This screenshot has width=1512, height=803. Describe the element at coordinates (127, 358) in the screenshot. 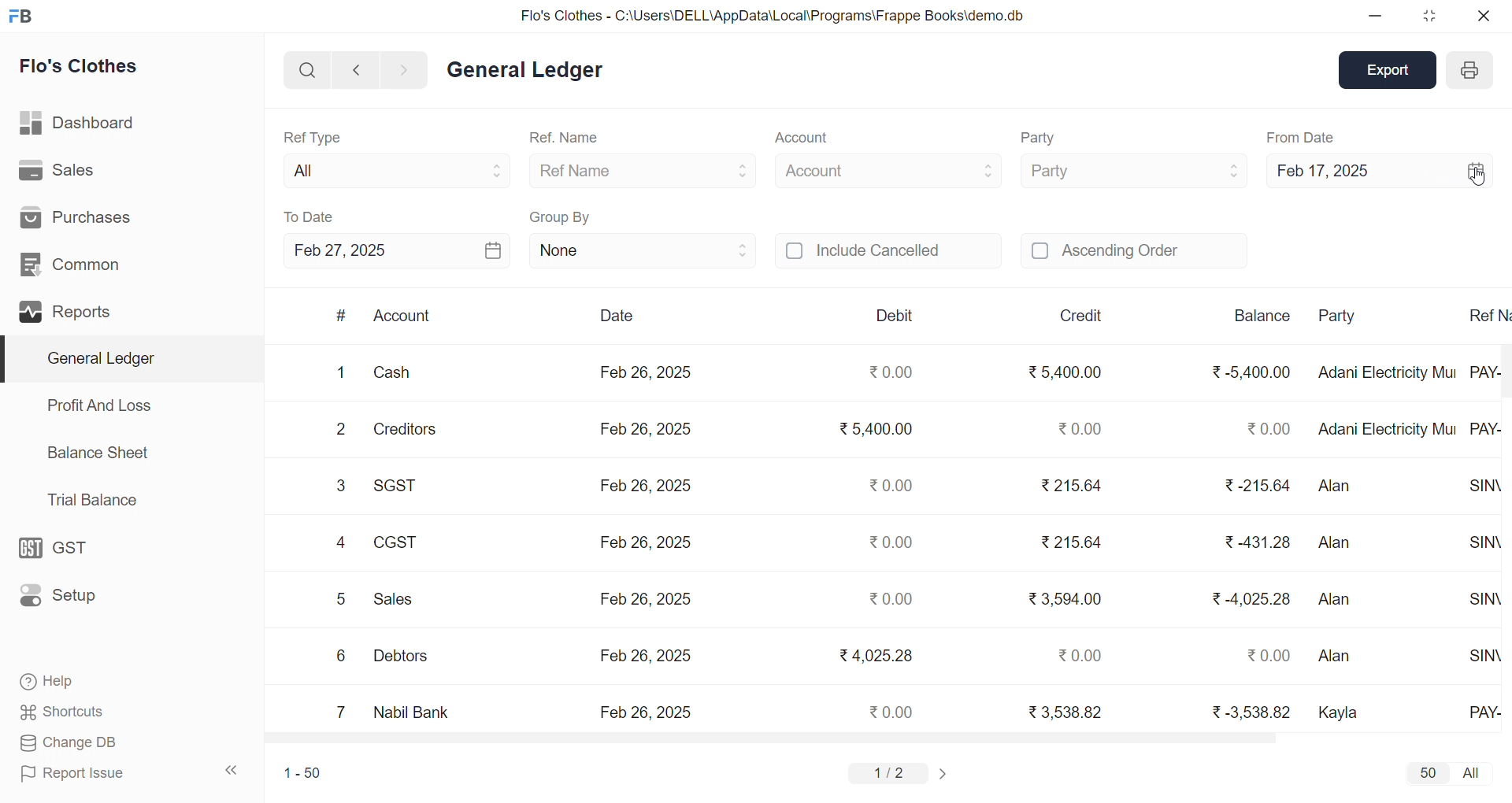

I see `General Ledger` at that location.